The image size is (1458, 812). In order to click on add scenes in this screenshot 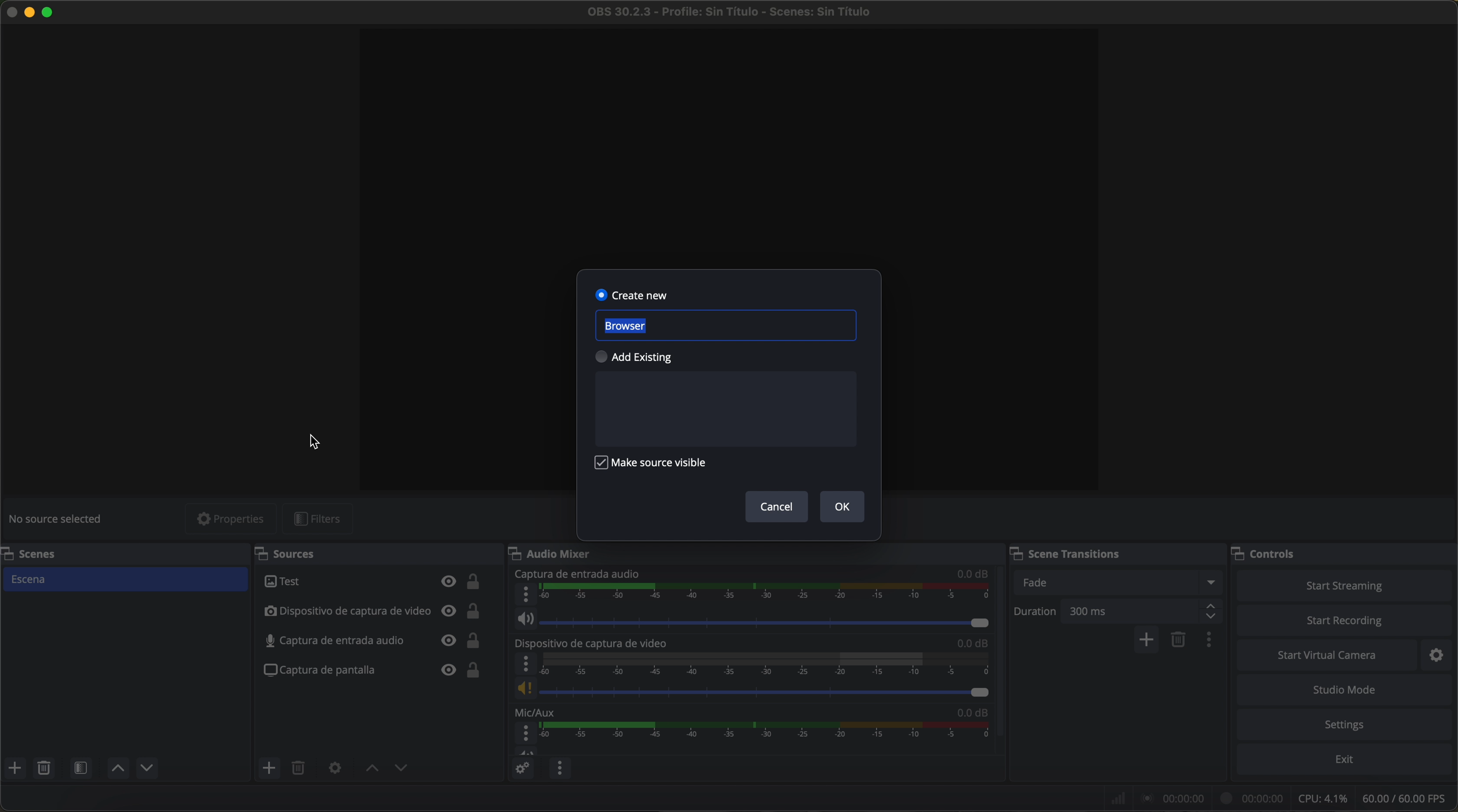, I will do `click(14, 768)`.